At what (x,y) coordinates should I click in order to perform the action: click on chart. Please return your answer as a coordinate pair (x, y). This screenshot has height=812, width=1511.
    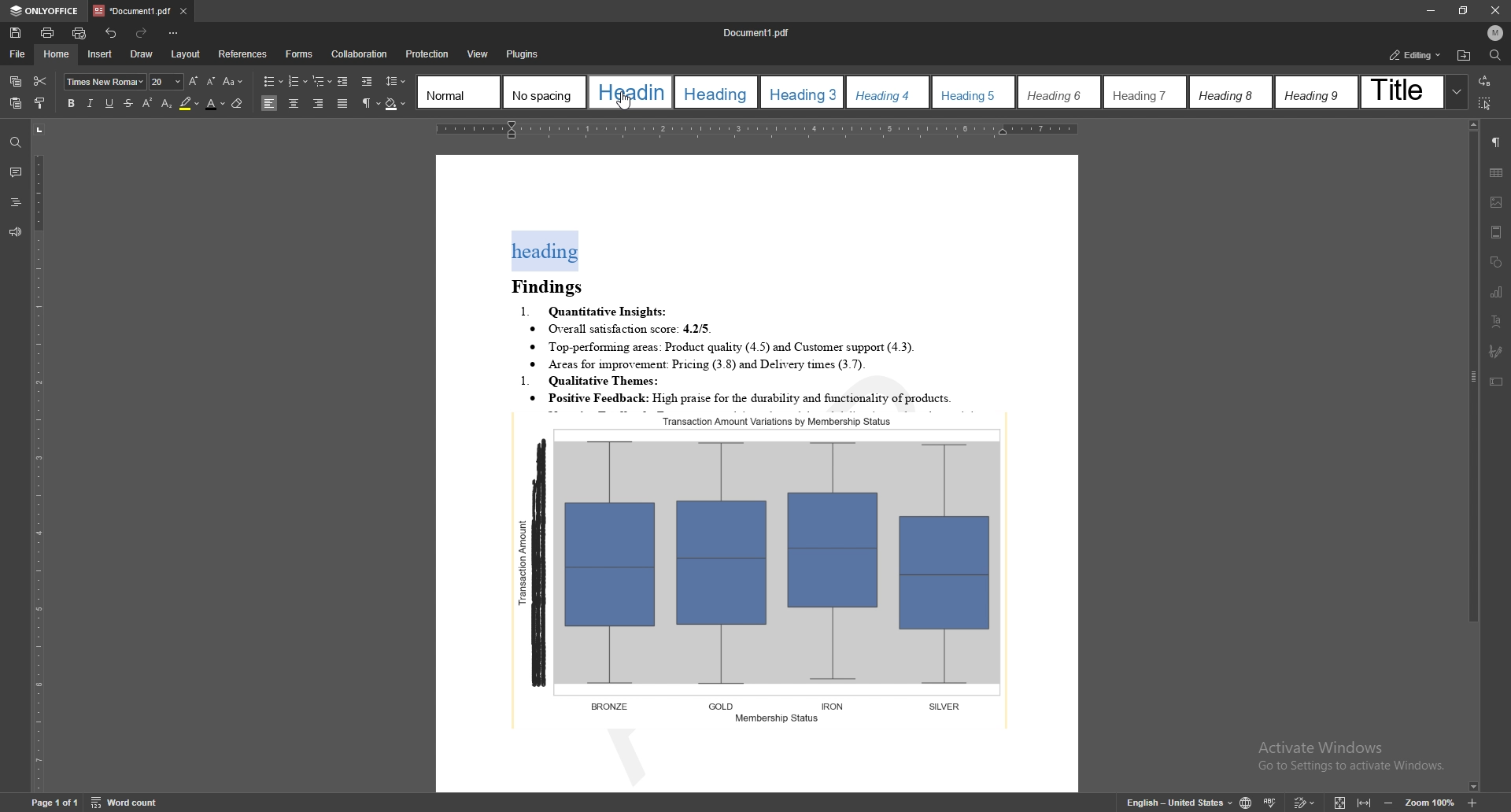
    Looking at the image, I should click on (1497, 292).